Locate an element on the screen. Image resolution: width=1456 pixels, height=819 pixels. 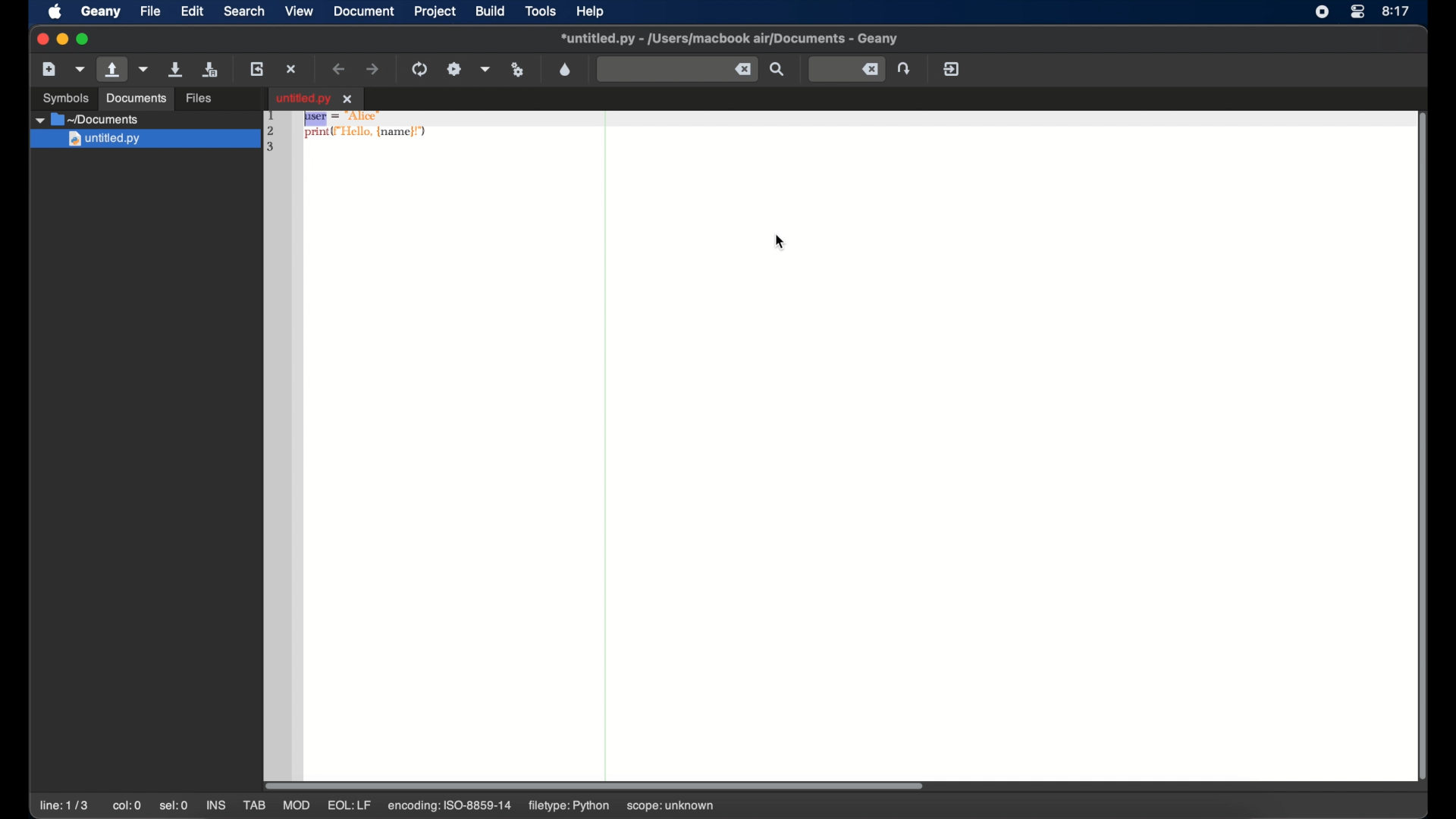
save the current file is located at coordinates (176, 69).